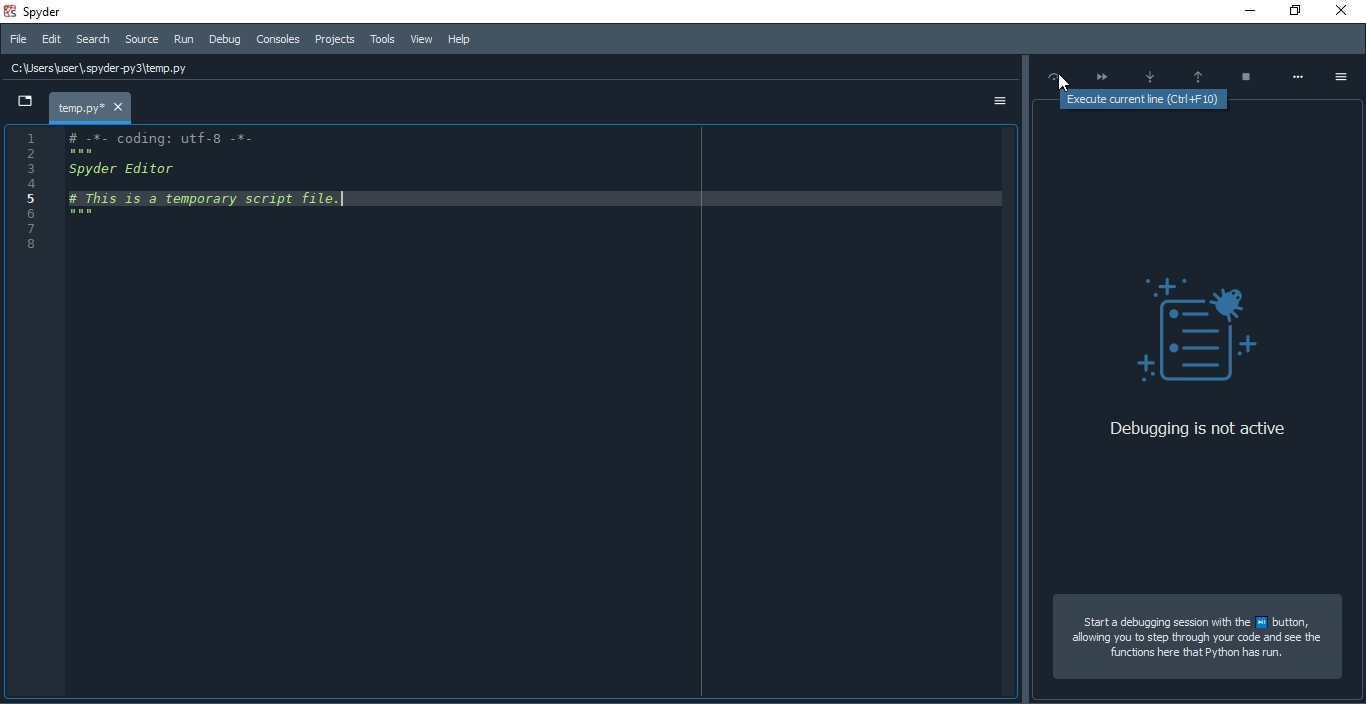  Describe the element at coordinates (276, 39) in the screenshot. I see `Consoles` at that location.